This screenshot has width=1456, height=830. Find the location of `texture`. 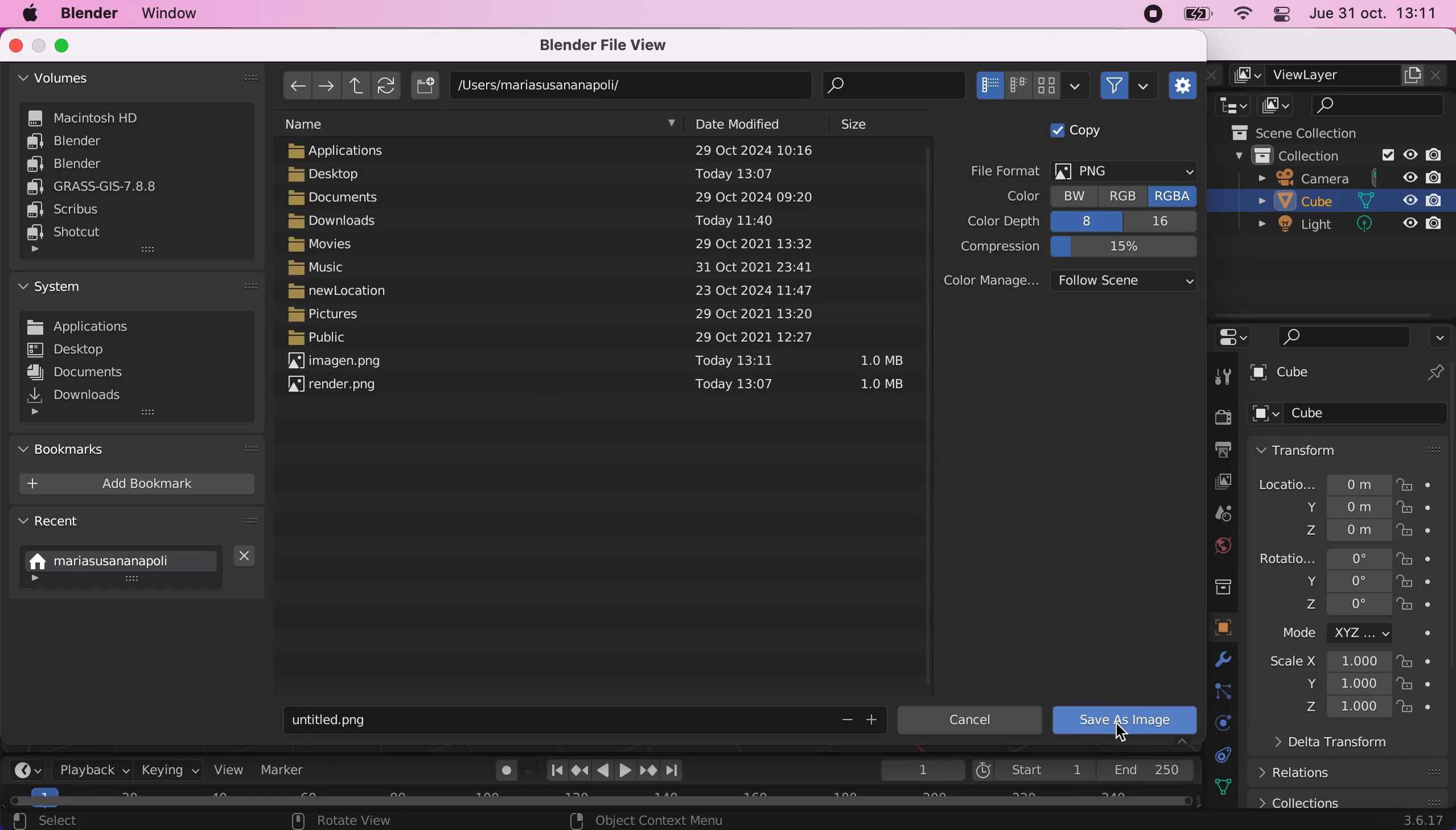

texture is located at coordinates (1229, 787).